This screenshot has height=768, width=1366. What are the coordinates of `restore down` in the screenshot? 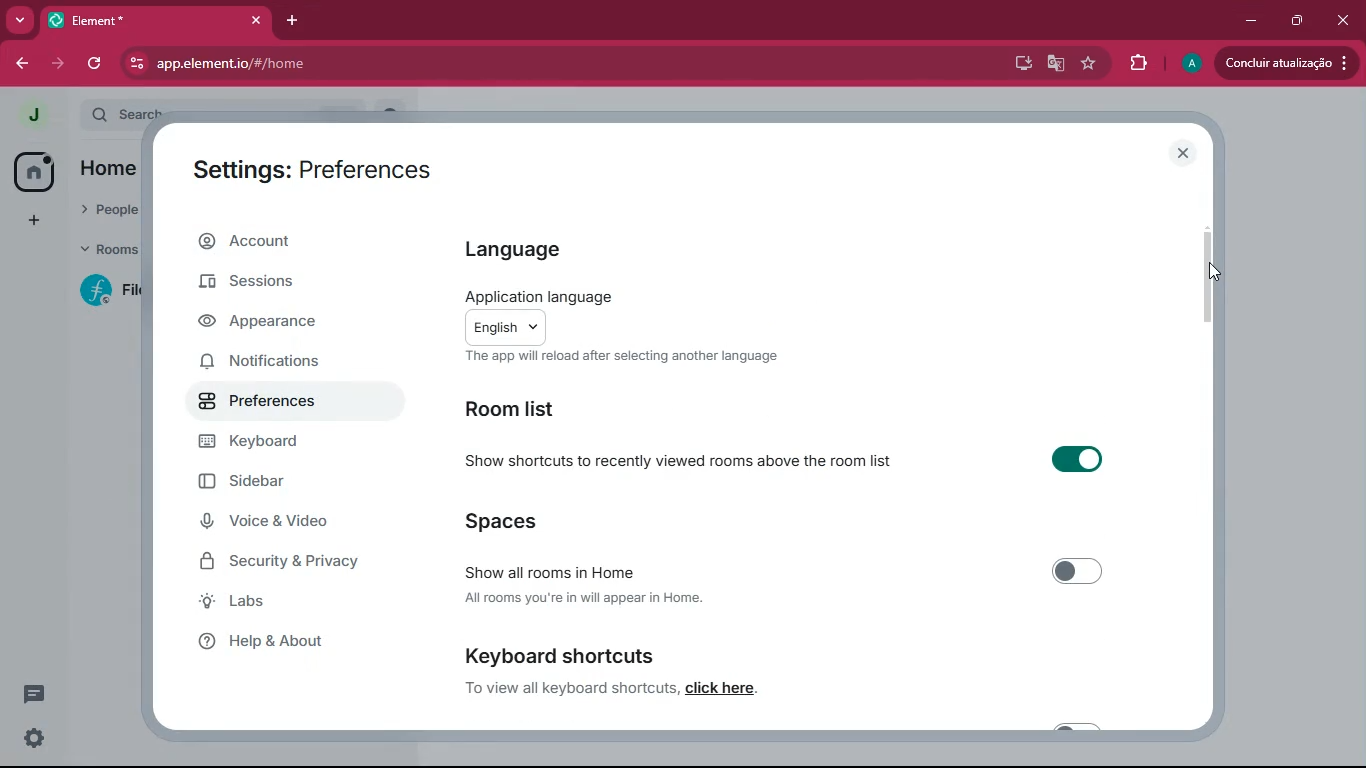 It's located at (1299, 20).